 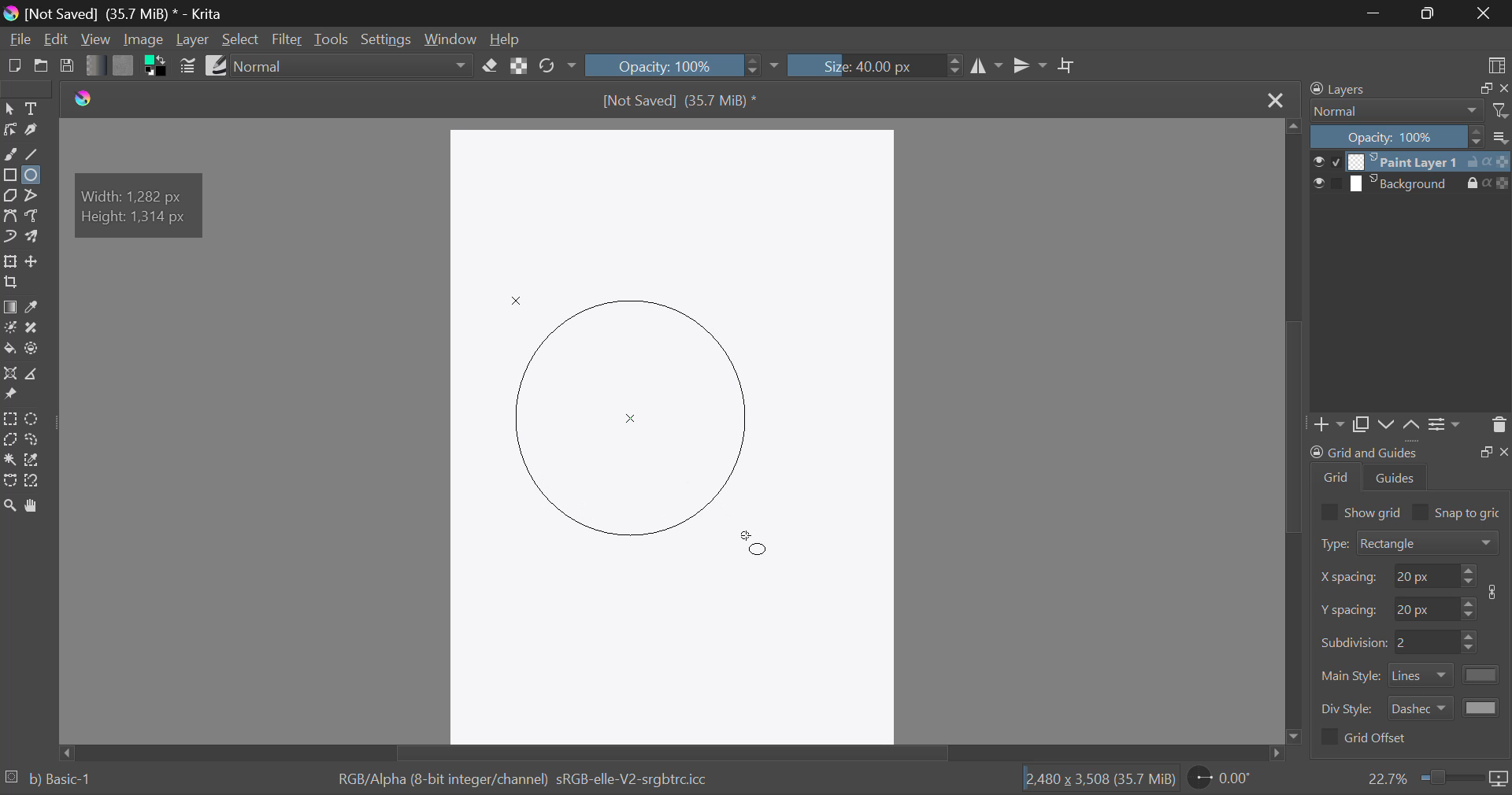 I want to click on , so click(x=87, y=99).